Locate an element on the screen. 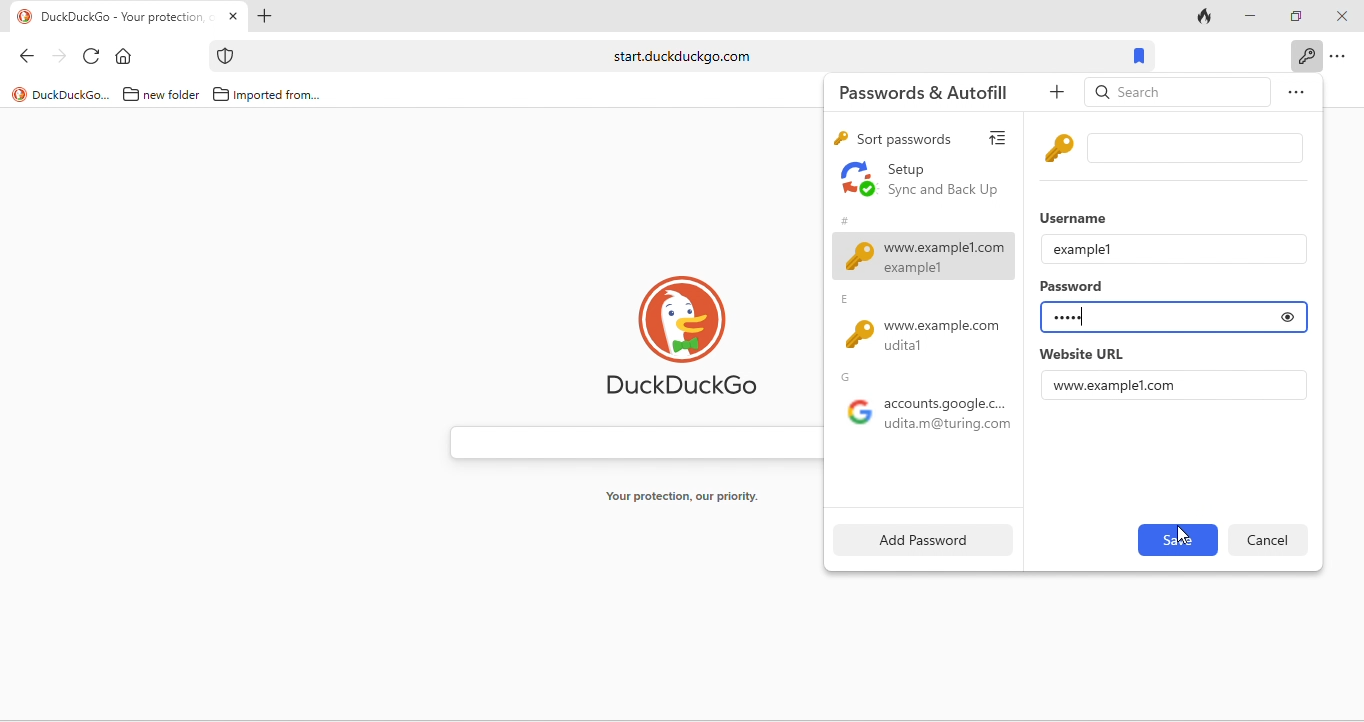 The width and height of the screenshot is (1364, 722). your protection, our priority. is located at coordinates (683, 497).